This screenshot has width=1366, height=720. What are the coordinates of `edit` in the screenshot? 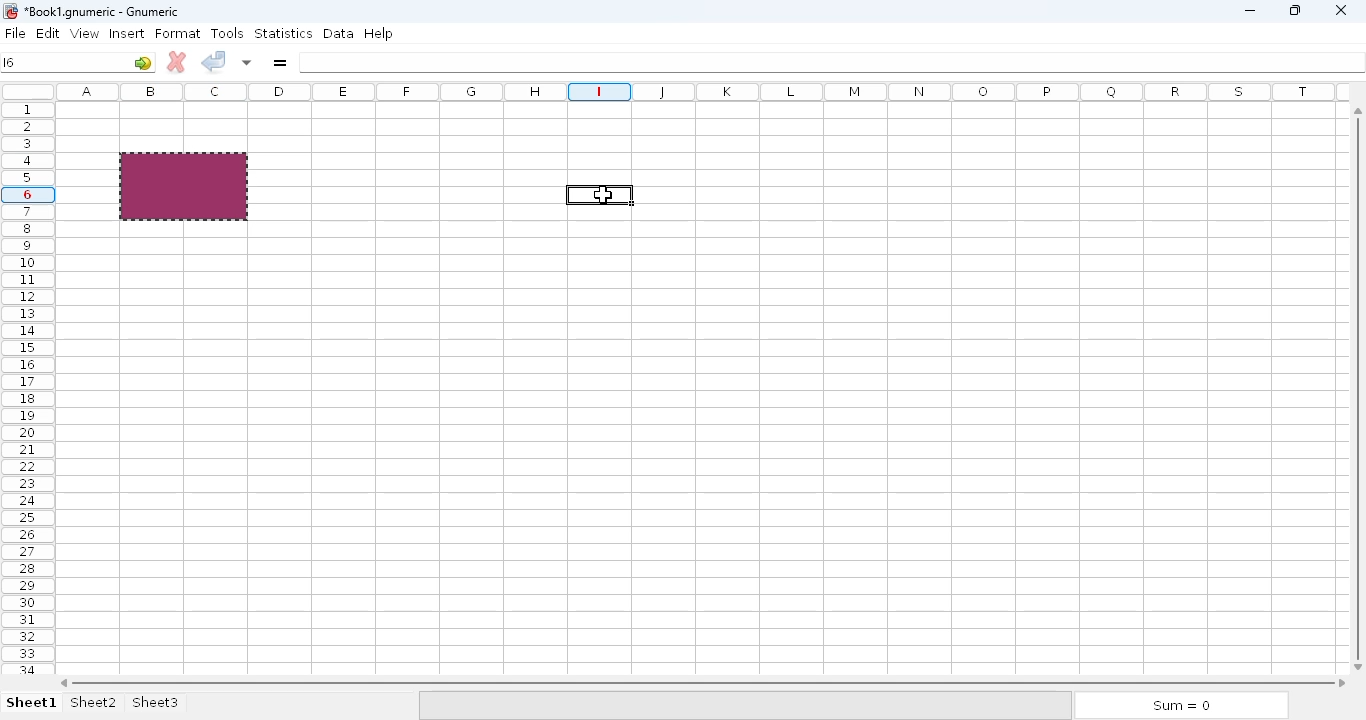 It's located at (49, 32).